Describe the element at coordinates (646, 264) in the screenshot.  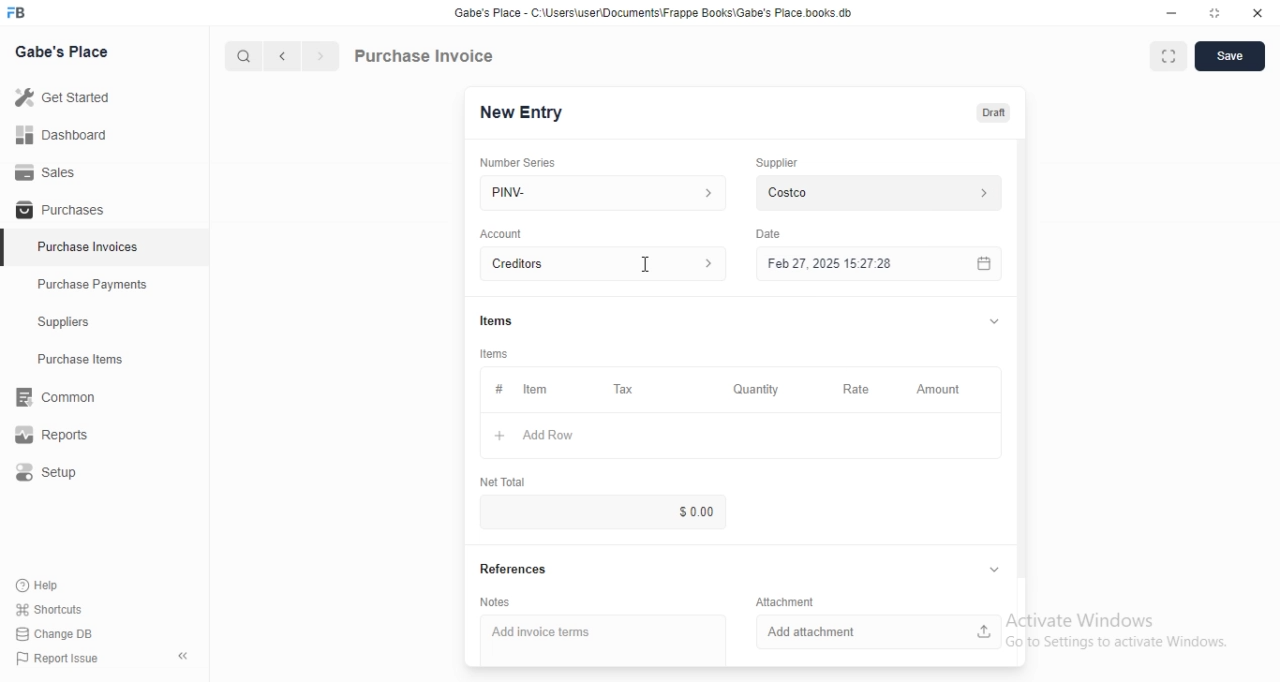
I see `Cursor` at that location.